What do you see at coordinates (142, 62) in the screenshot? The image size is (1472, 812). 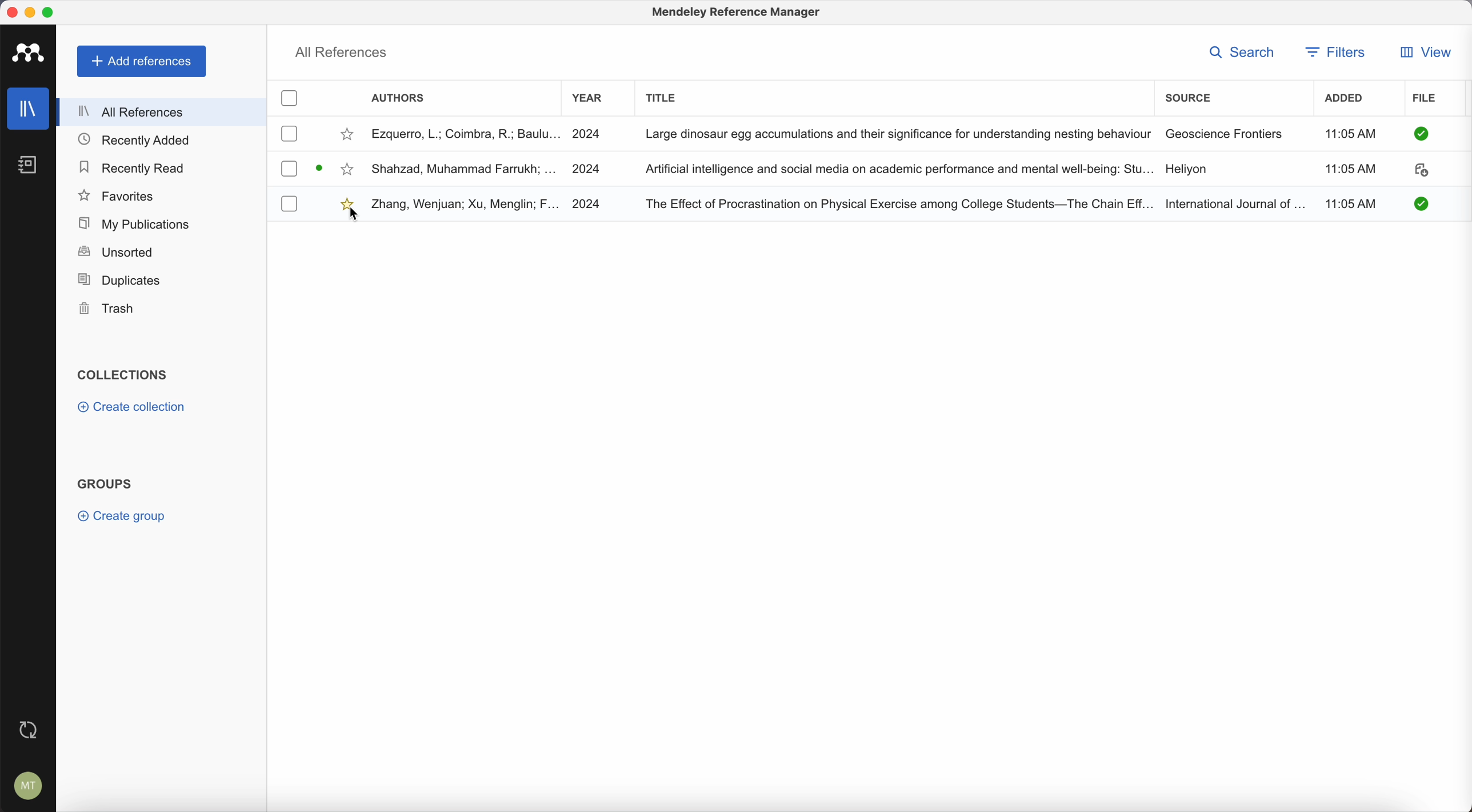 I see `add references` at bounding box center [142, 62].